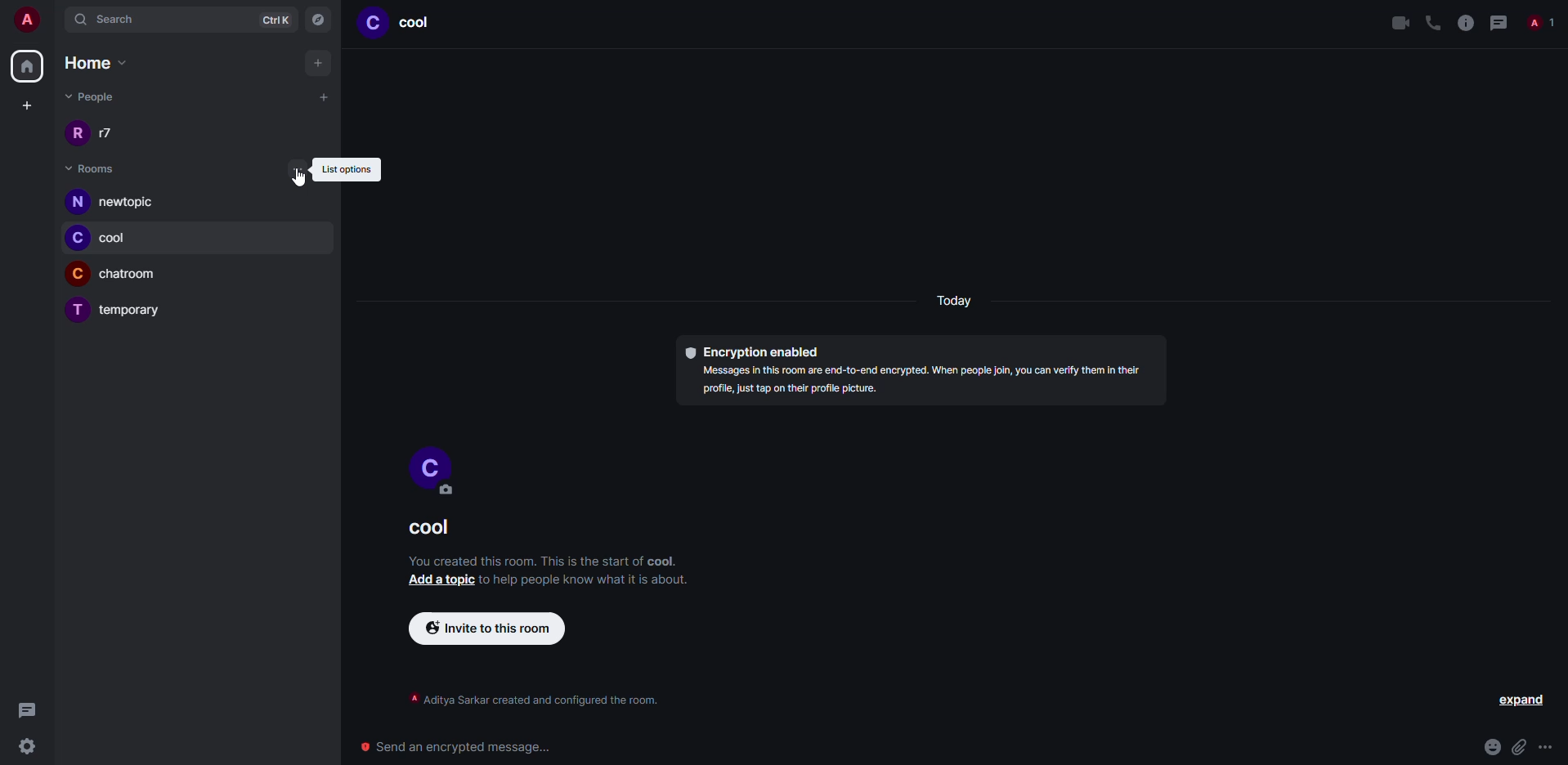 This screenshot has height=765, width=1568. I want to click on day, so click(961, 302).